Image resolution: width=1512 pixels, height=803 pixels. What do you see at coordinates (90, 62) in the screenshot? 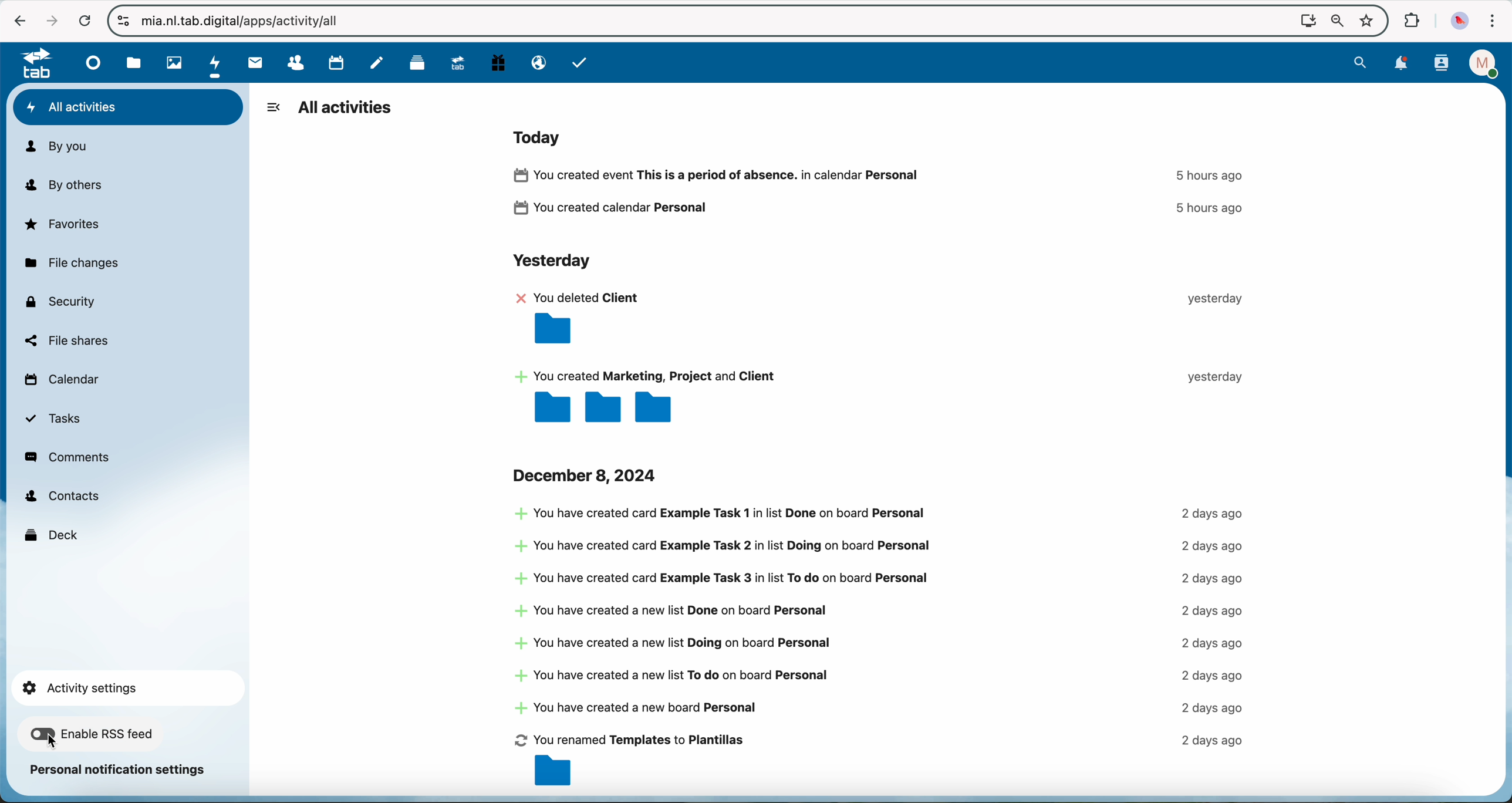
I see `dashboard` at bounding box center [90, 62].